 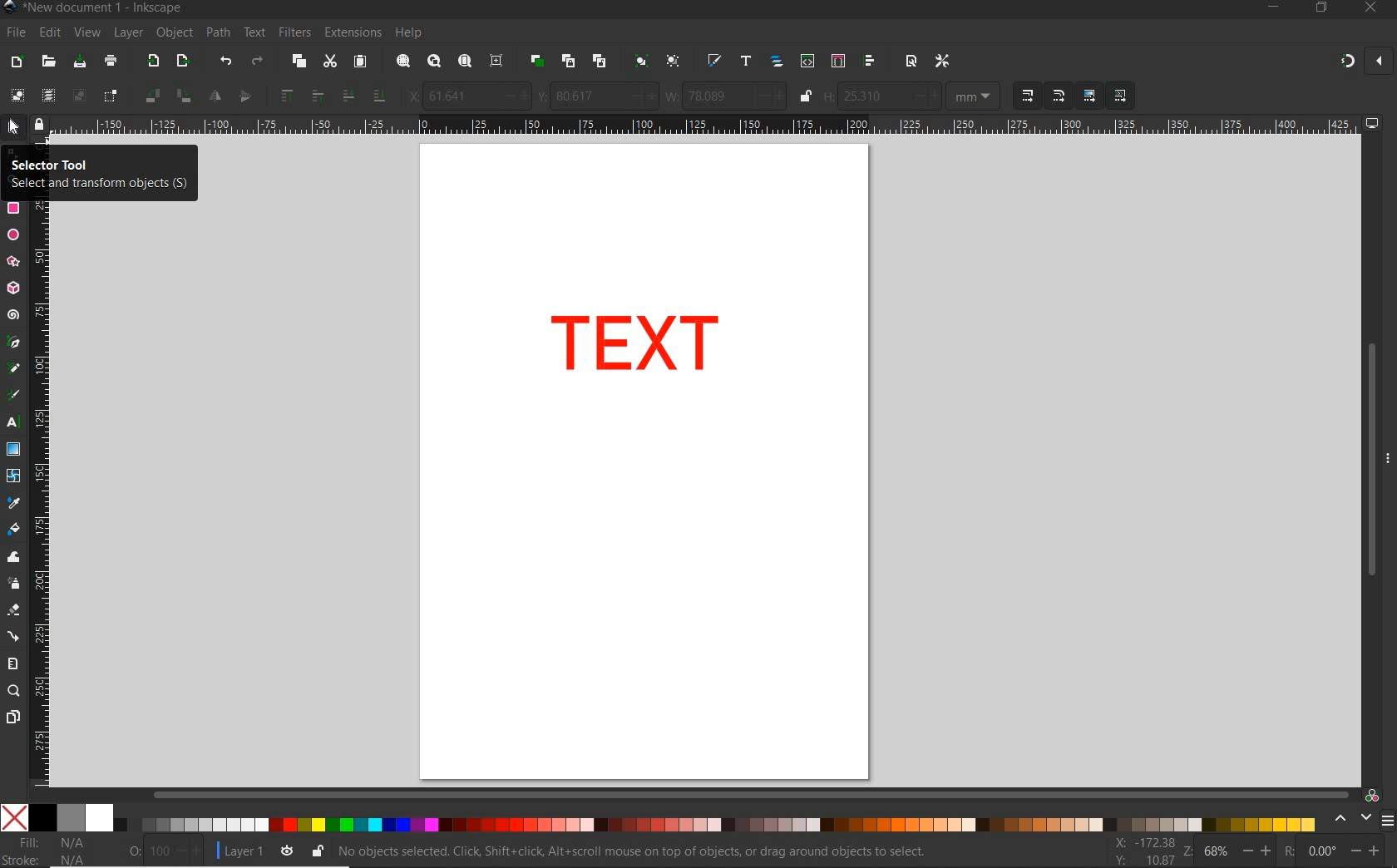 I want to click on 3d box tool, so click(x=15, y=287).